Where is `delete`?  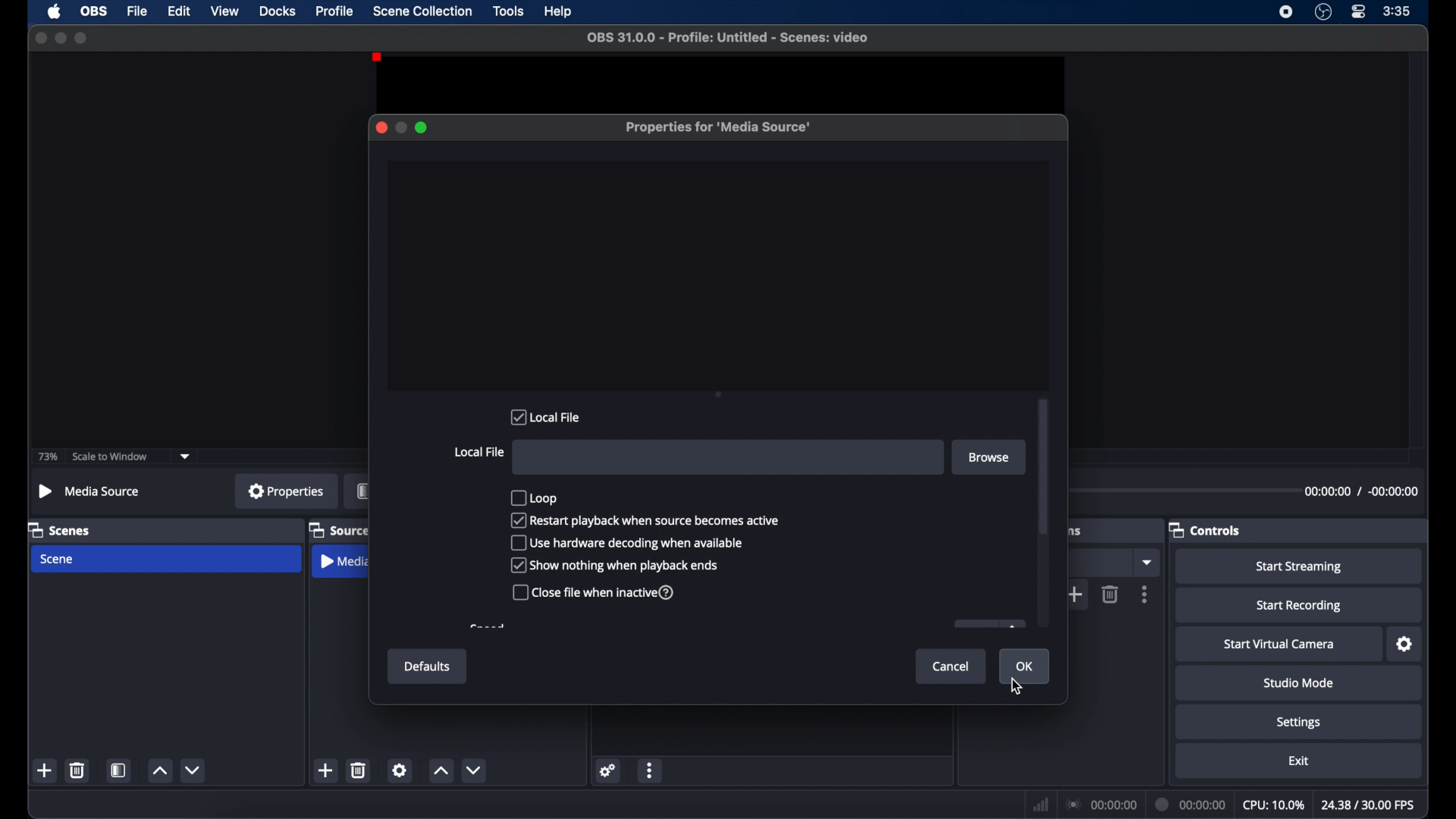 delete is located at coordinates (359, 770).